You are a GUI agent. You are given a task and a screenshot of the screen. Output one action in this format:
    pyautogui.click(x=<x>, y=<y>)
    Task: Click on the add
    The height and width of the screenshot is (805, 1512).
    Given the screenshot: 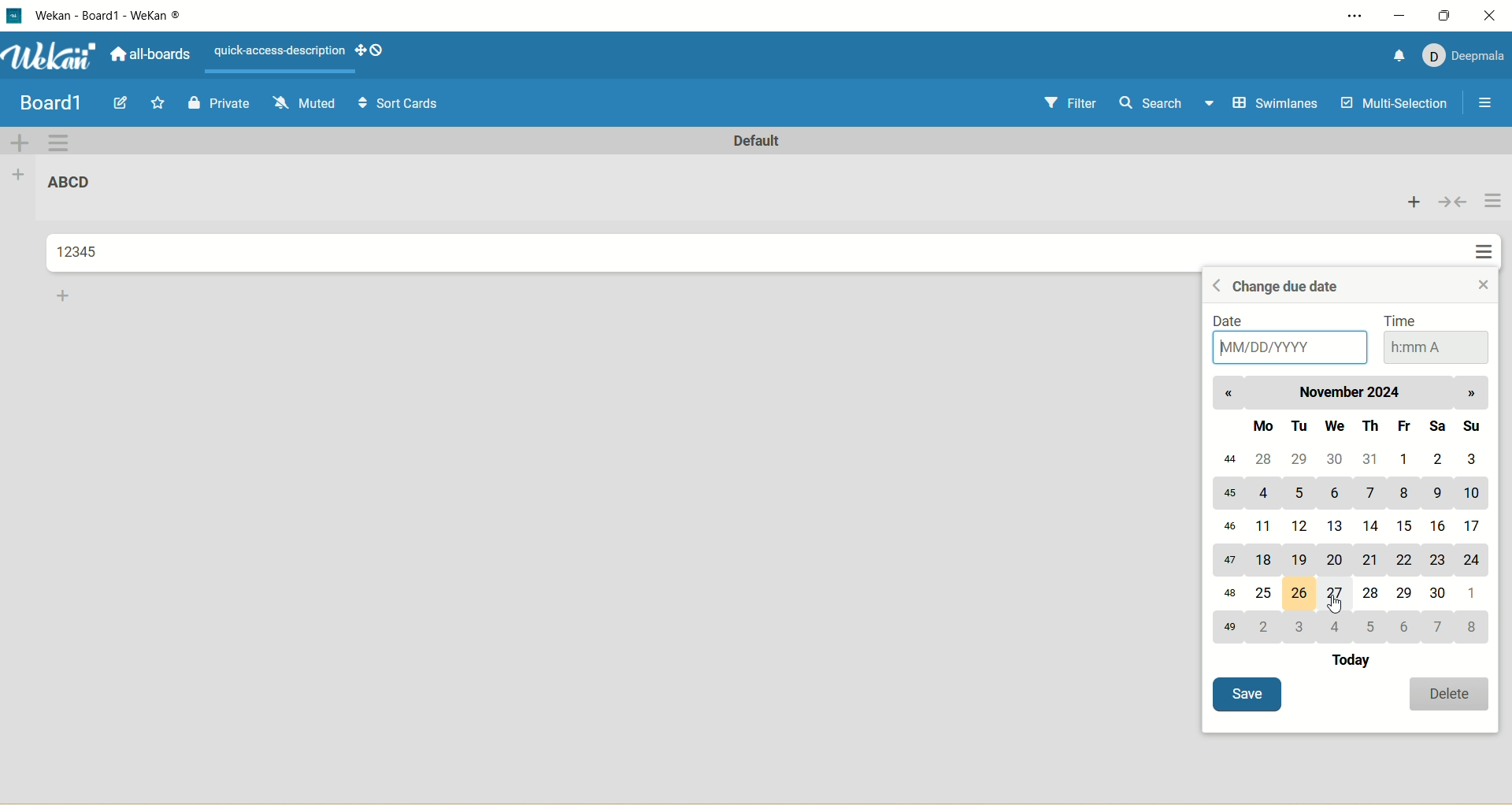 What is the action you would take?
    pyautogui.click(x=1415, y=201)
    